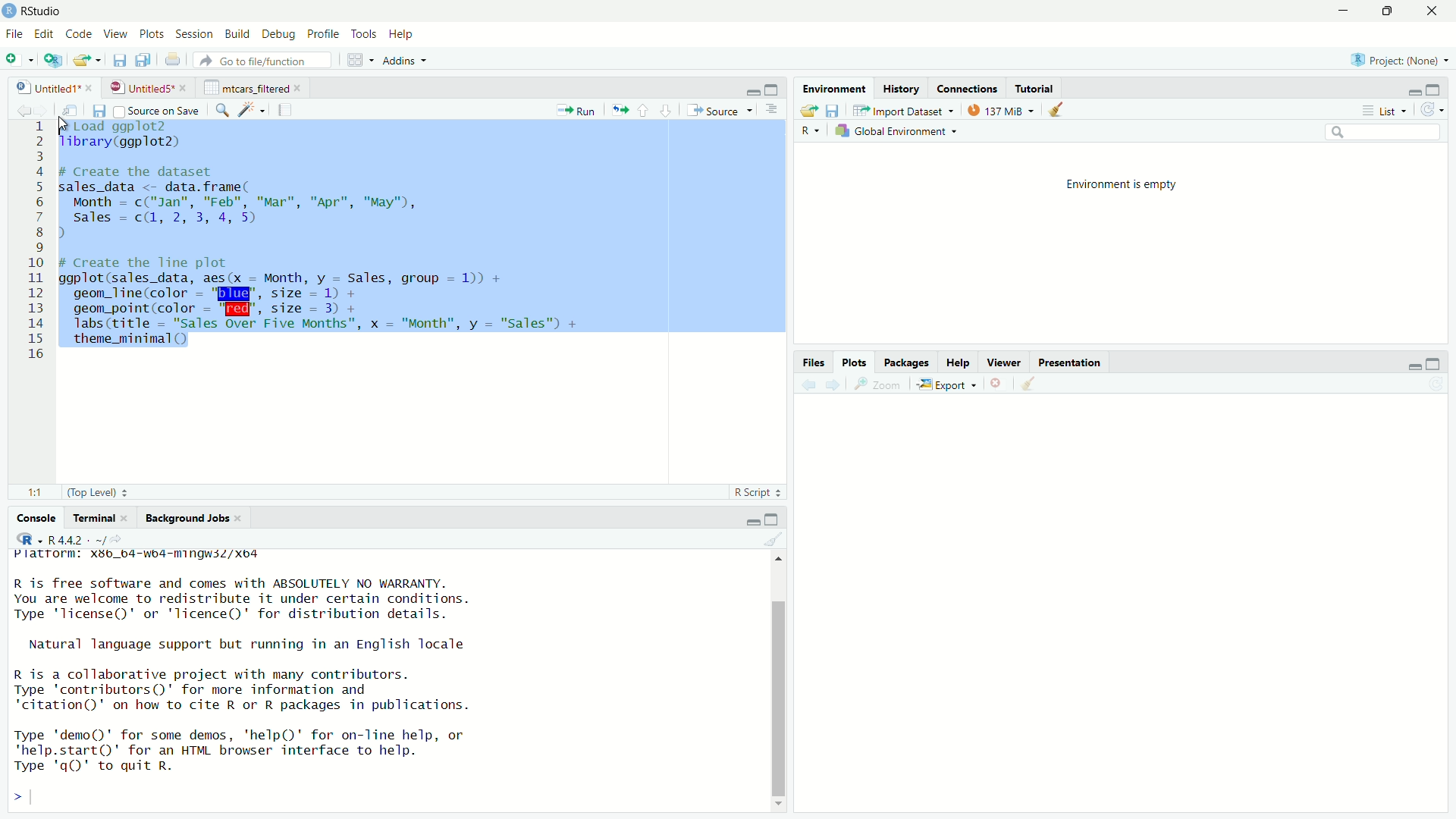 The height and width of the screenshot is (819, 1456). What do you see at coordinates (903, 111) in the screenshot?
I see `import dataset` at bounding box center [903, 111].